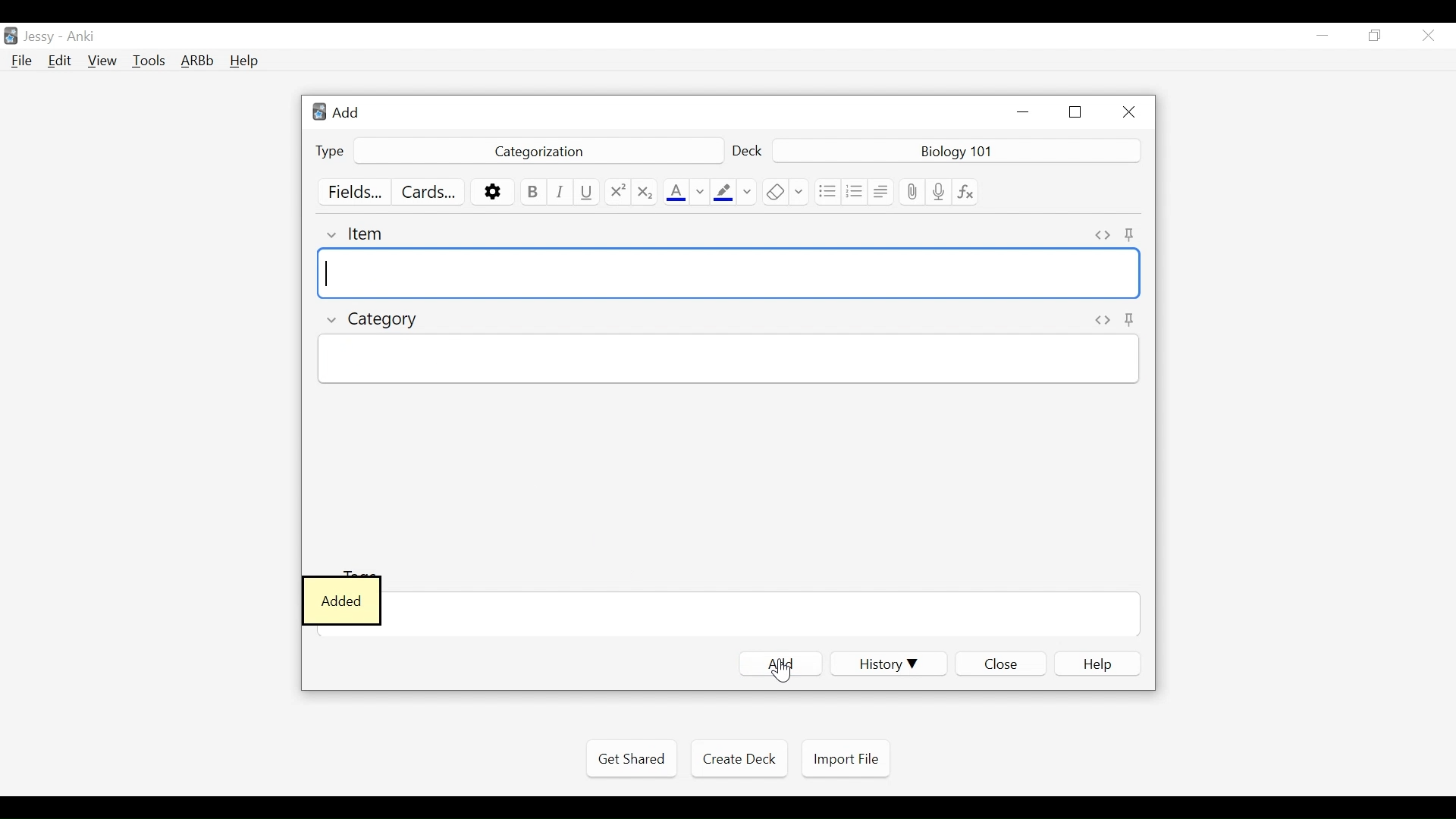 This screenshot has height=819, width=1456. Describe the element at coordinates (1099, 664) in the screenshot. I see `elp` at that location.